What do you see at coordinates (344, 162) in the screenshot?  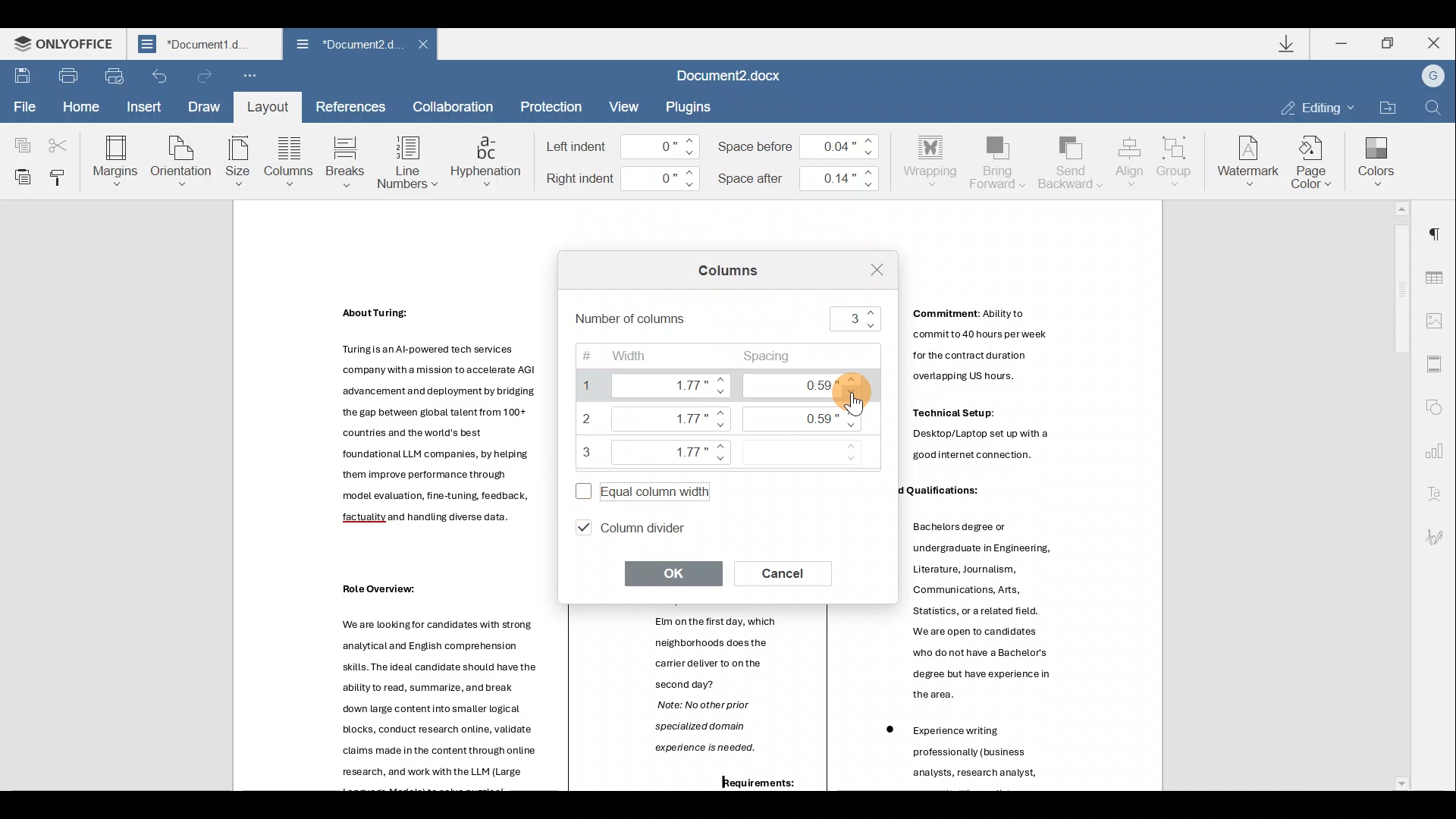 I see `Breaks` at bounding box center [344, 162].